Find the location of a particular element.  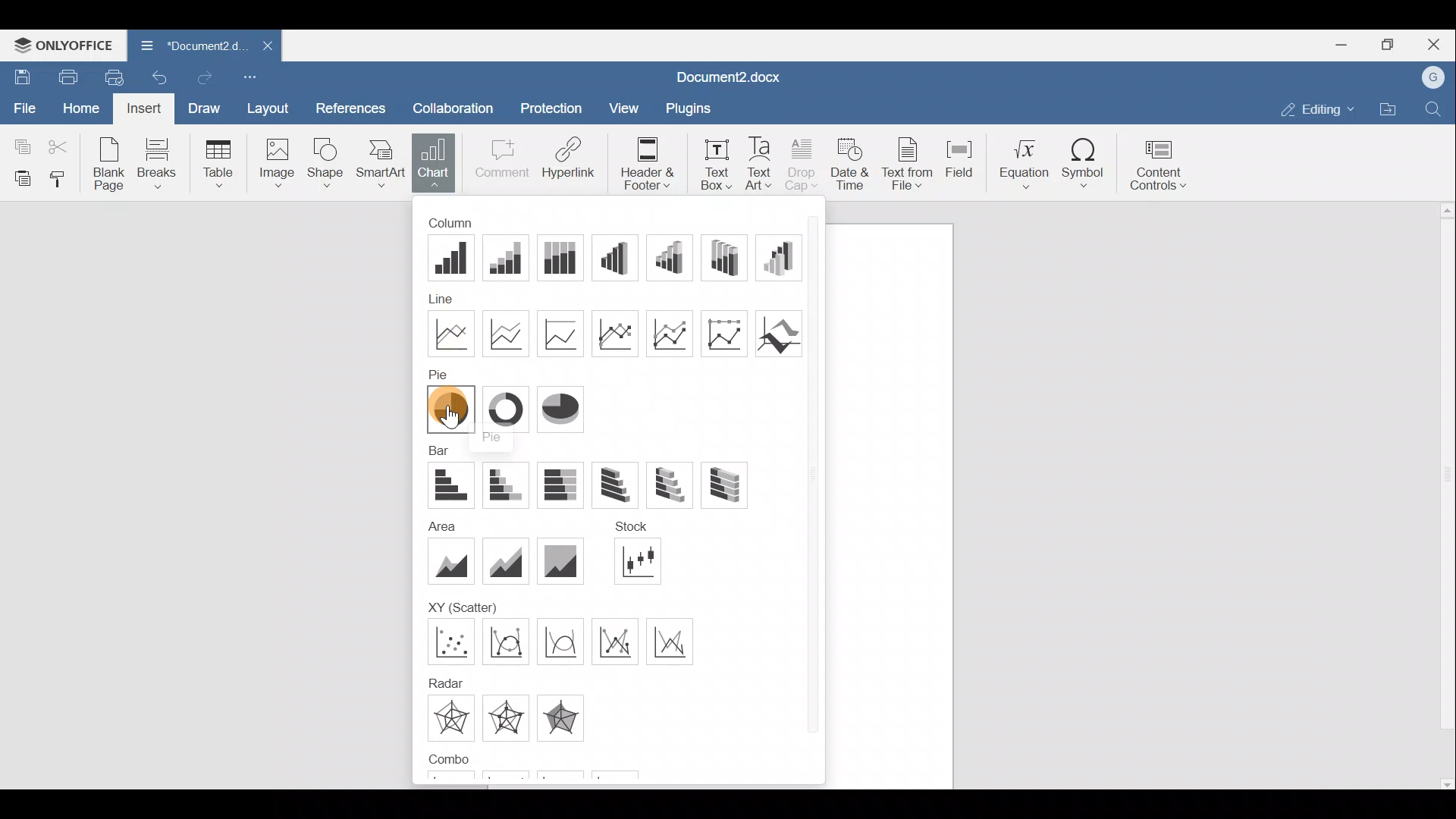

Home is located at coordinates (80, 108).